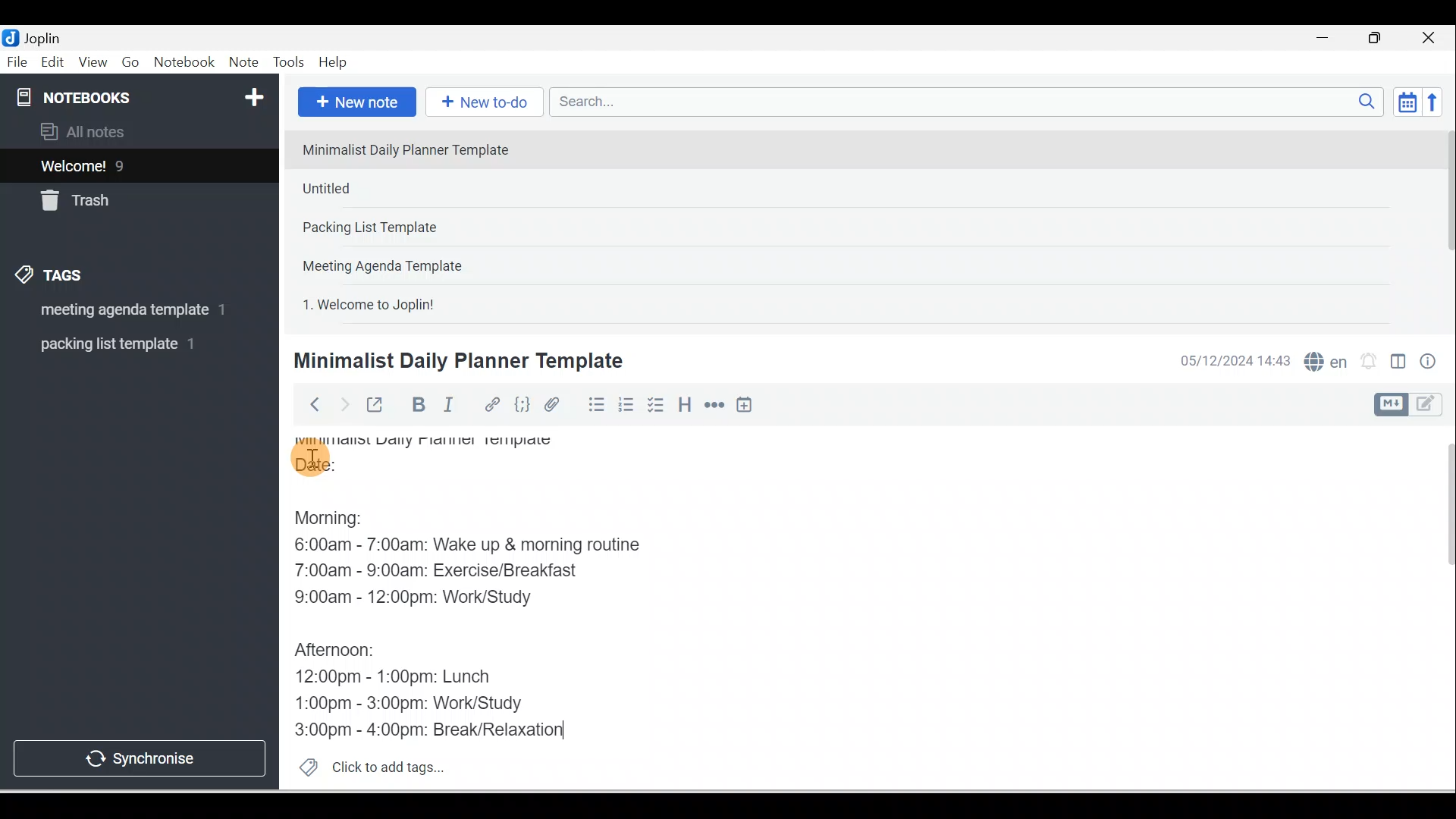 This screenshot has height=819, width=1456. Describe the element at coordinates (403, 262) in the screenshot. I see `Note 4` at that location.